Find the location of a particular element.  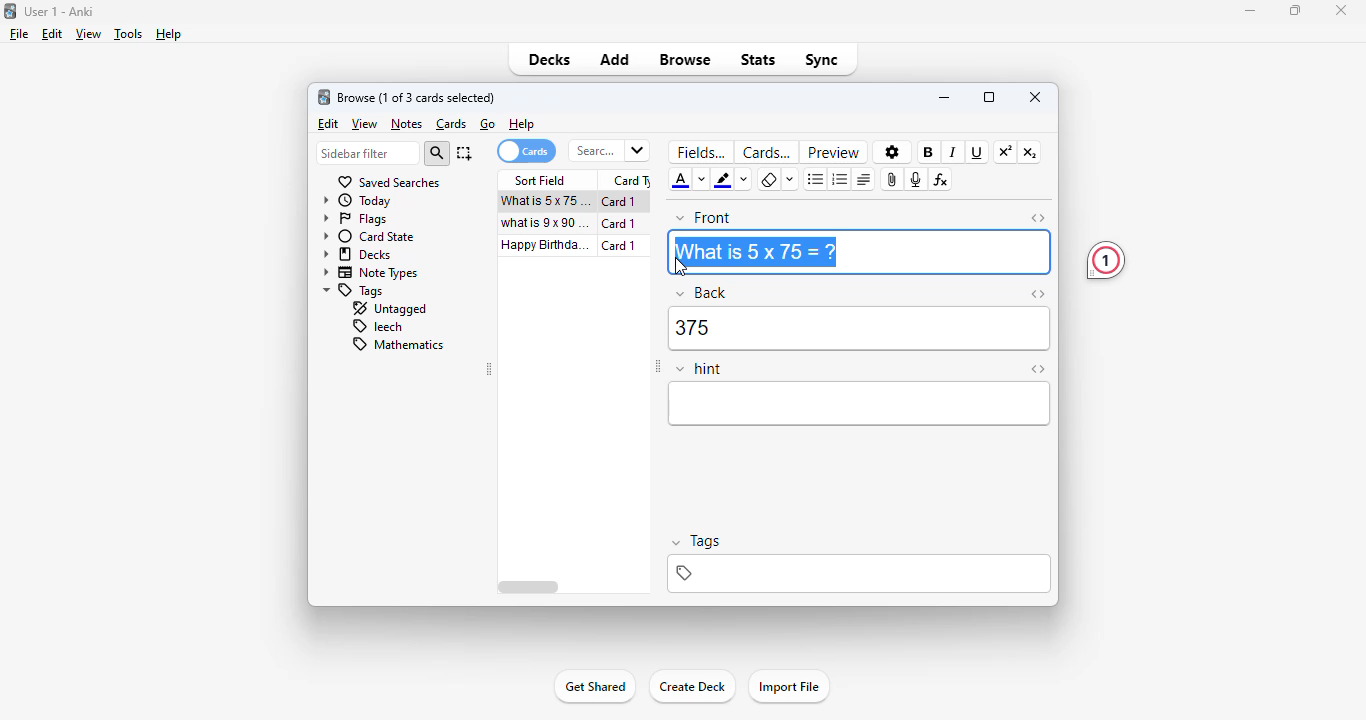

add is located at coordinates (616, 59).